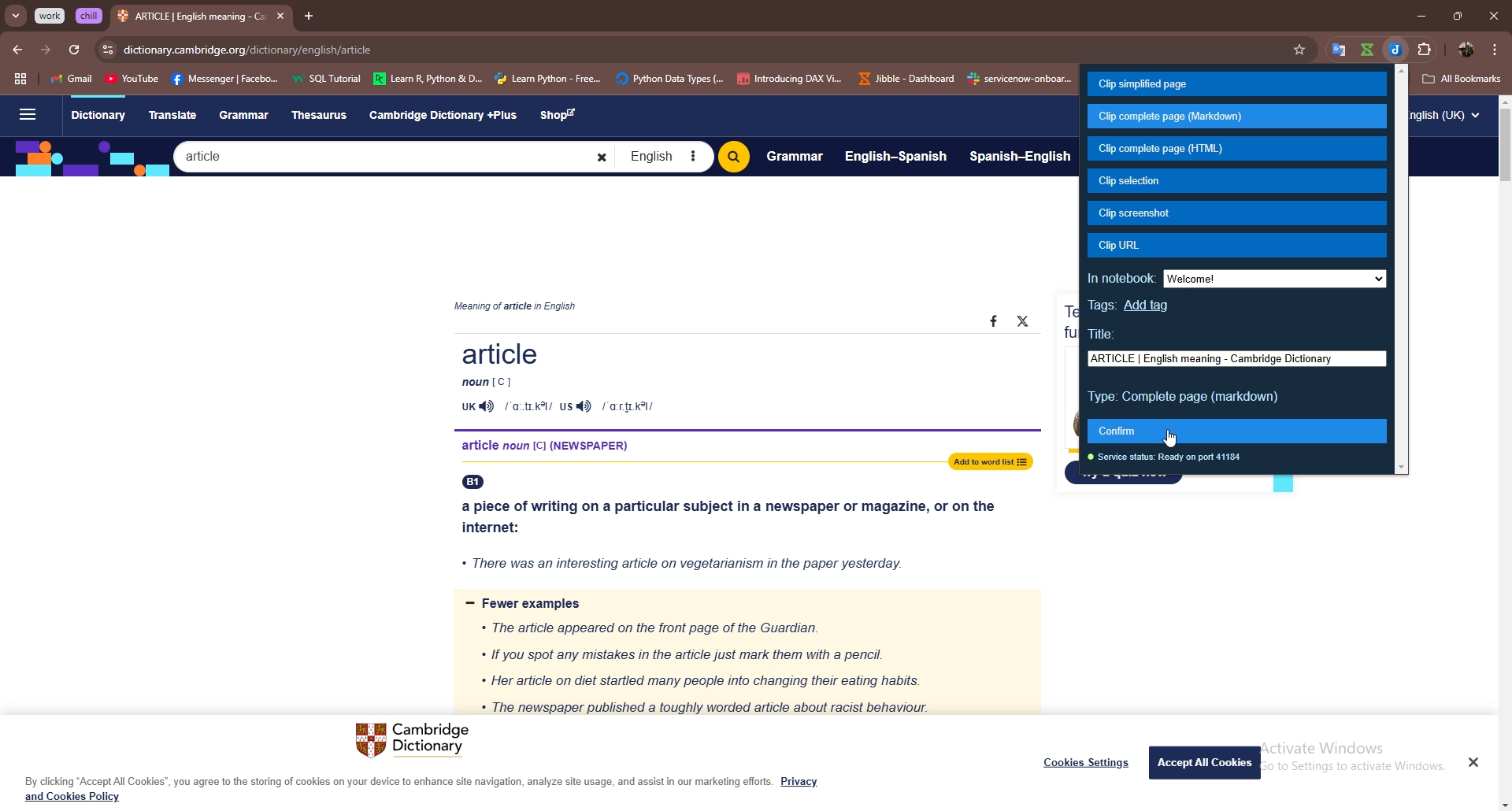 This screenshot has width=1512, height=811. What do you see at coordinates (422, 789) in the screenshot?
I see `By clicking “Accept All Cookies”, you agree to the storing of cookies on your device to enhance site navigation, analyze site usage, and assist in our marketing efforts. Privacy
and Cookies Policy` at bounding box center [422, 789].